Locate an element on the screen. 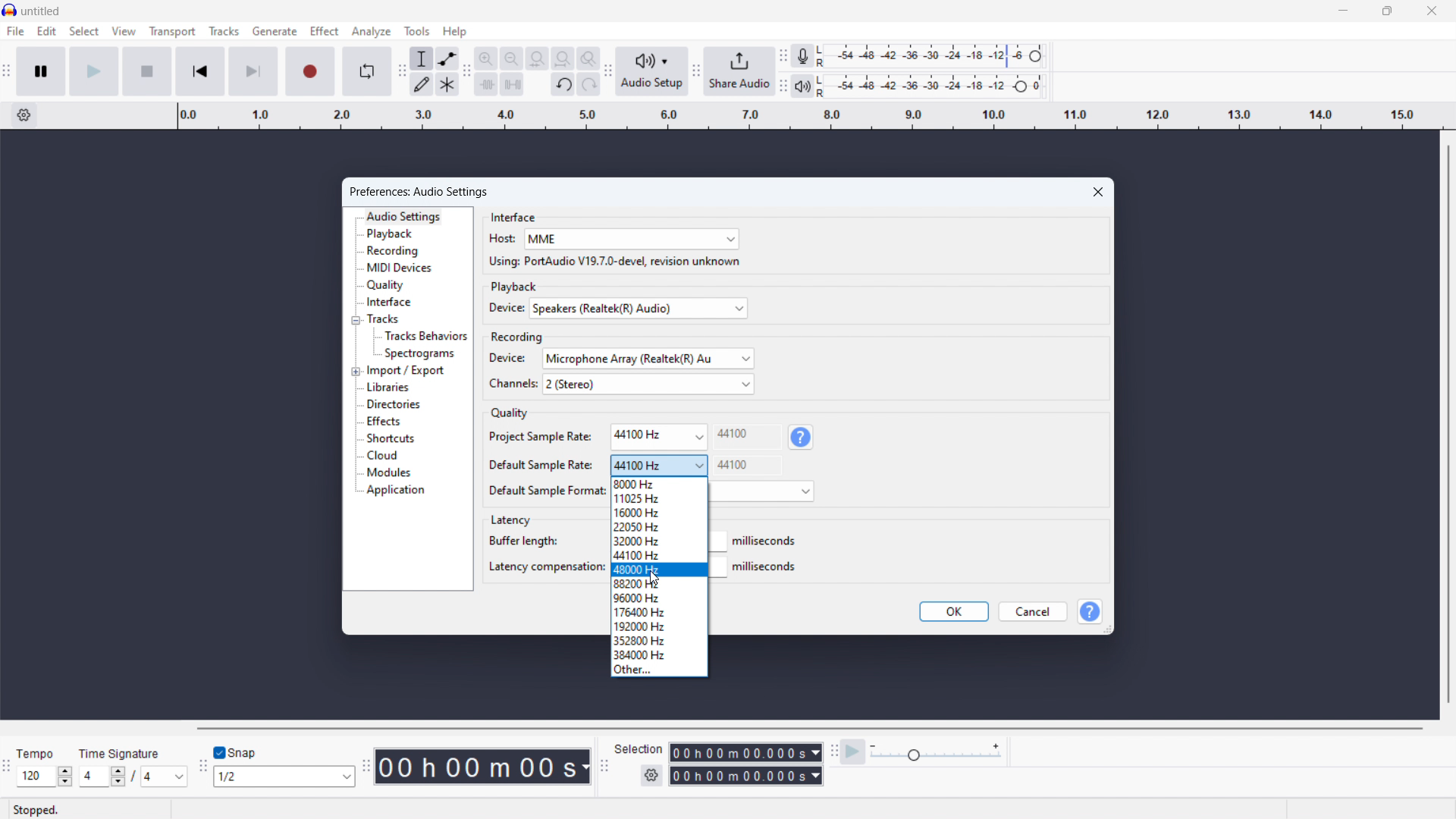  recording meter toolbar is located at coordinates (782, 55).